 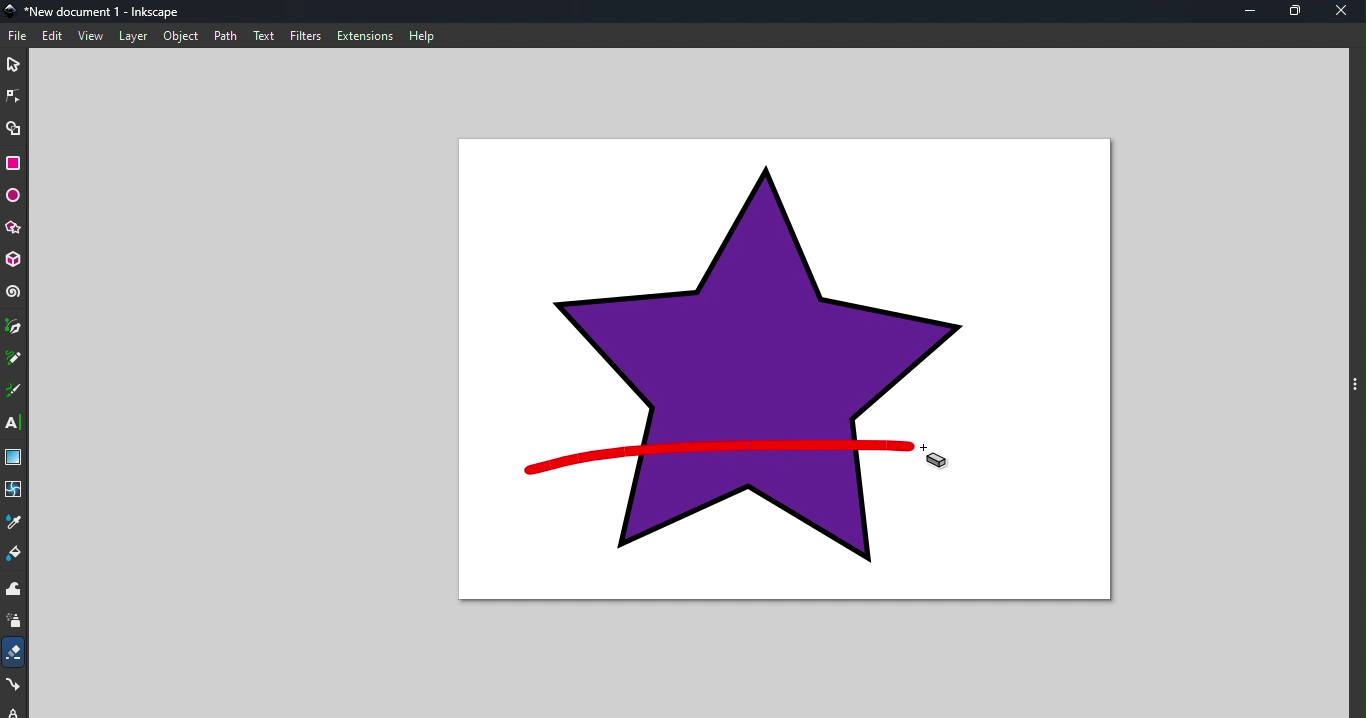 I want to click on view, so click(x=91, y=37).